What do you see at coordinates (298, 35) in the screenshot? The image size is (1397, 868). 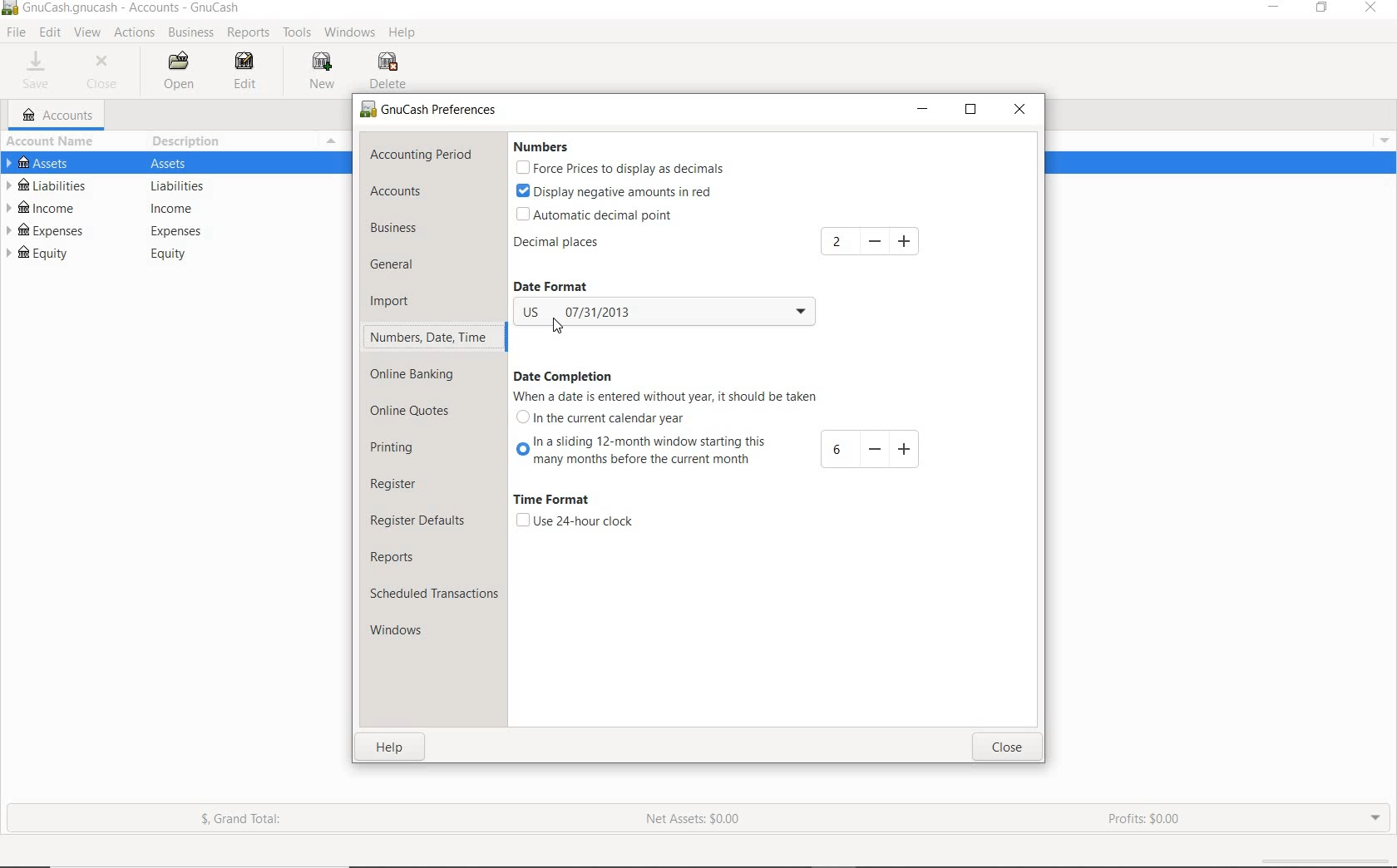 I see `TOOLS` at bounding box center [298, 35].